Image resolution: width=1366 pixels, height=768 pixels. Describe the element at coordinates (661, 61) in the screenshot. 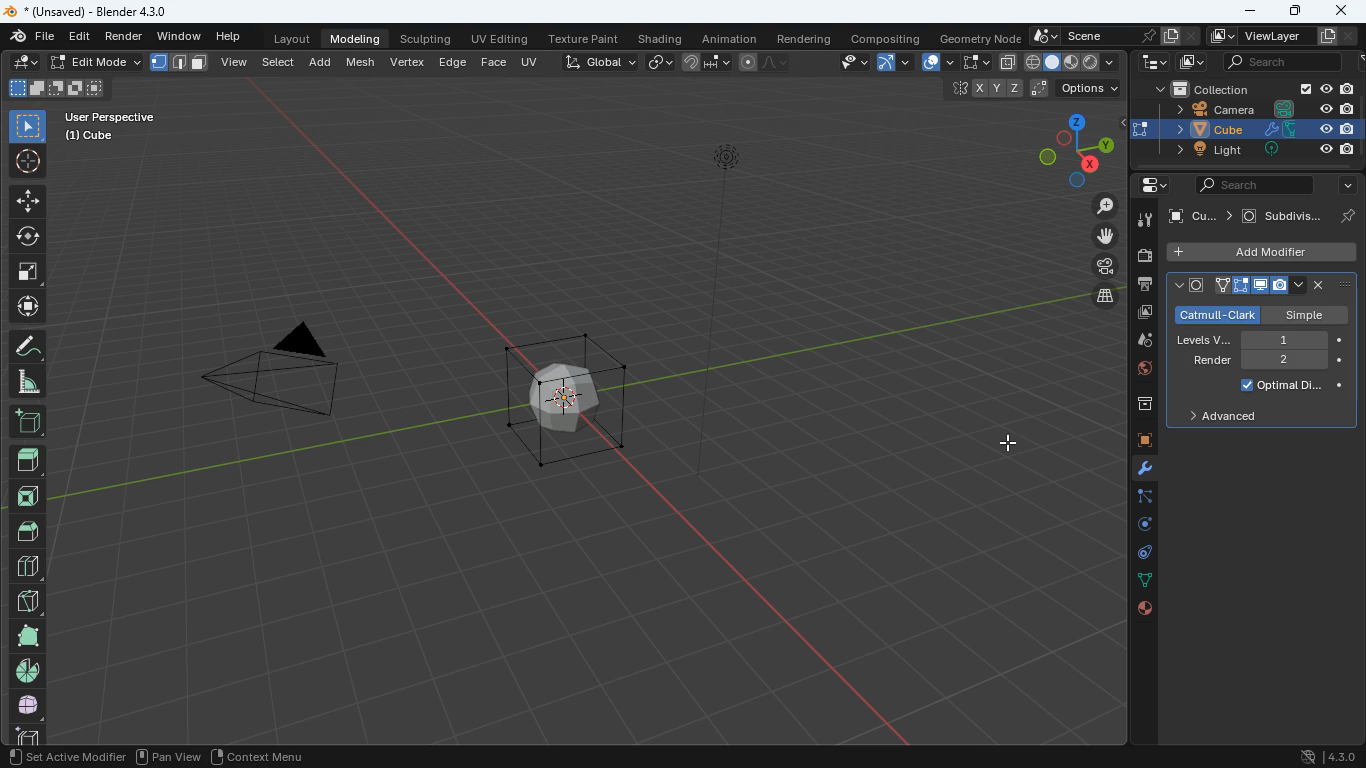

I see `link` at that location.